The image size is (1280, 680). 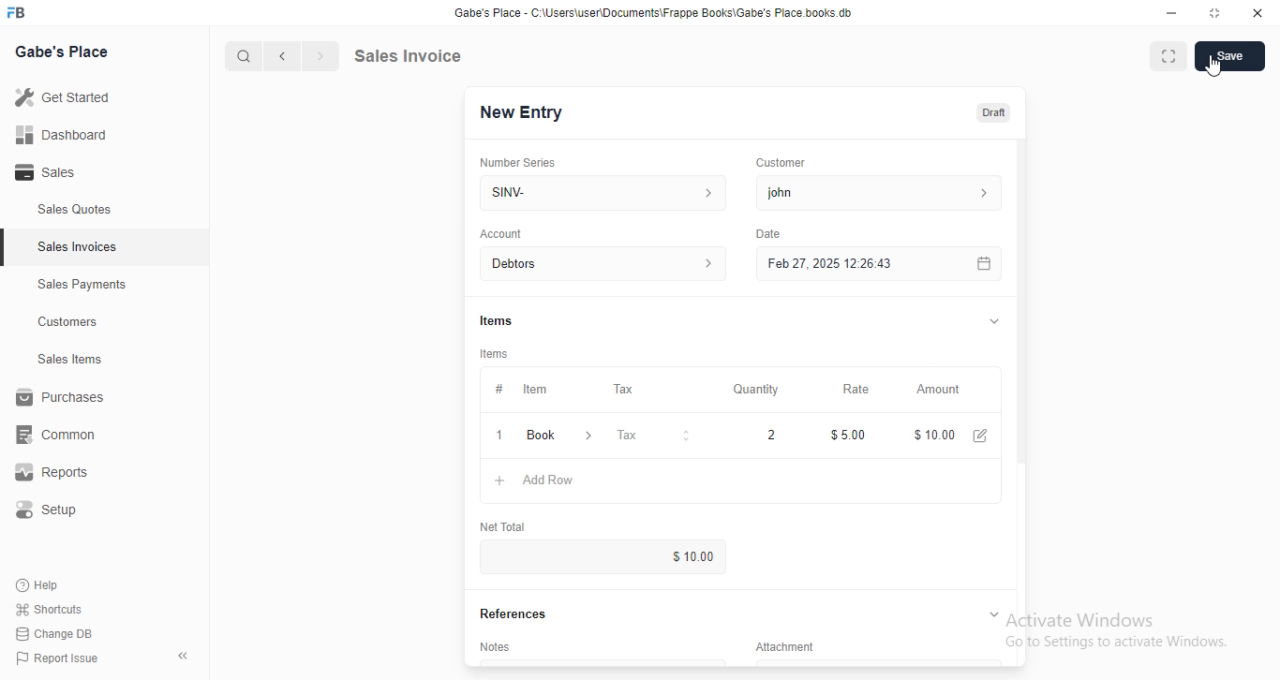 I want to click on Change DB, so click(x=57, y=634).